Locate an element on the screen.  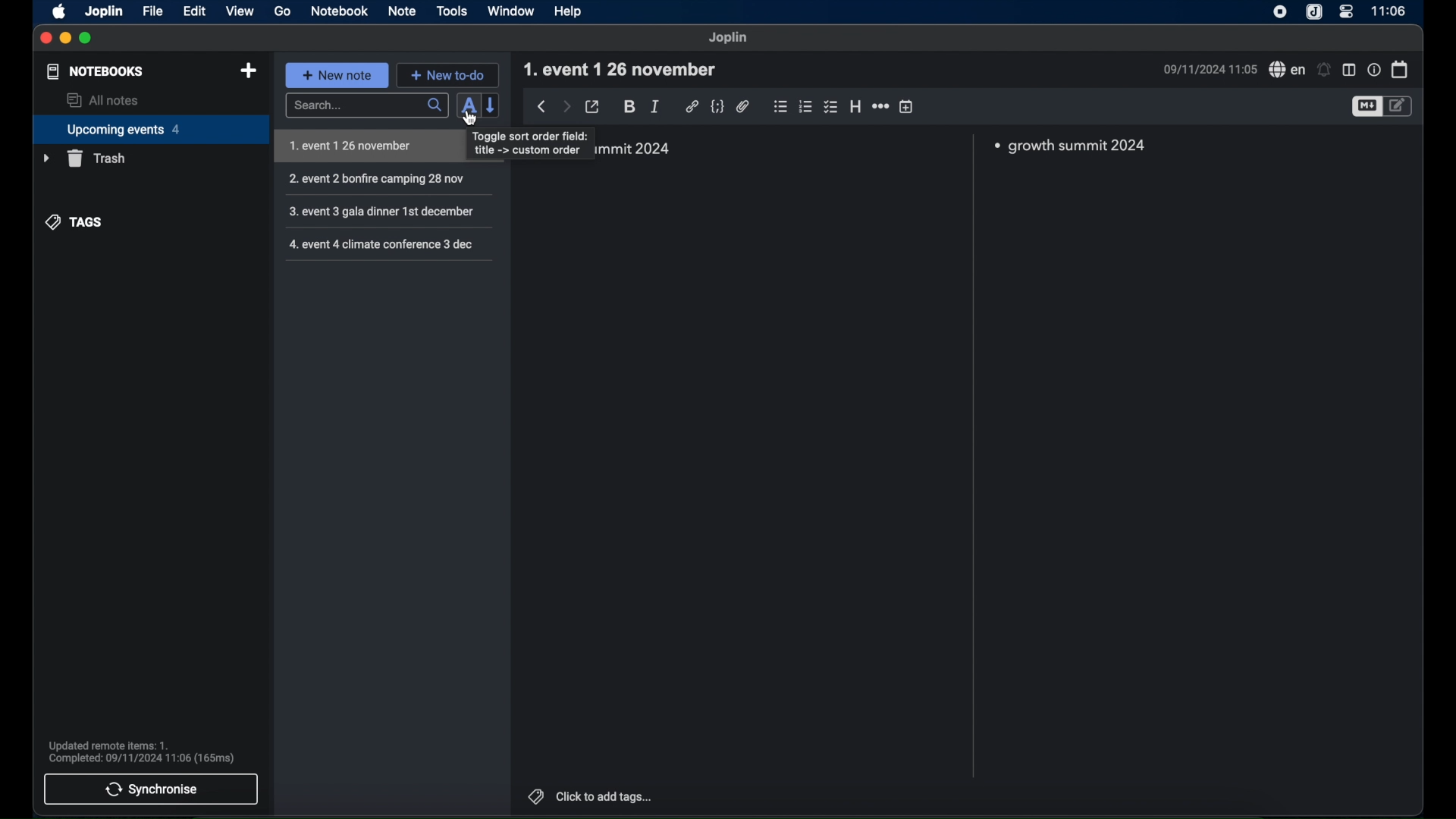
11:06 is located at coordinates (1387, 11).